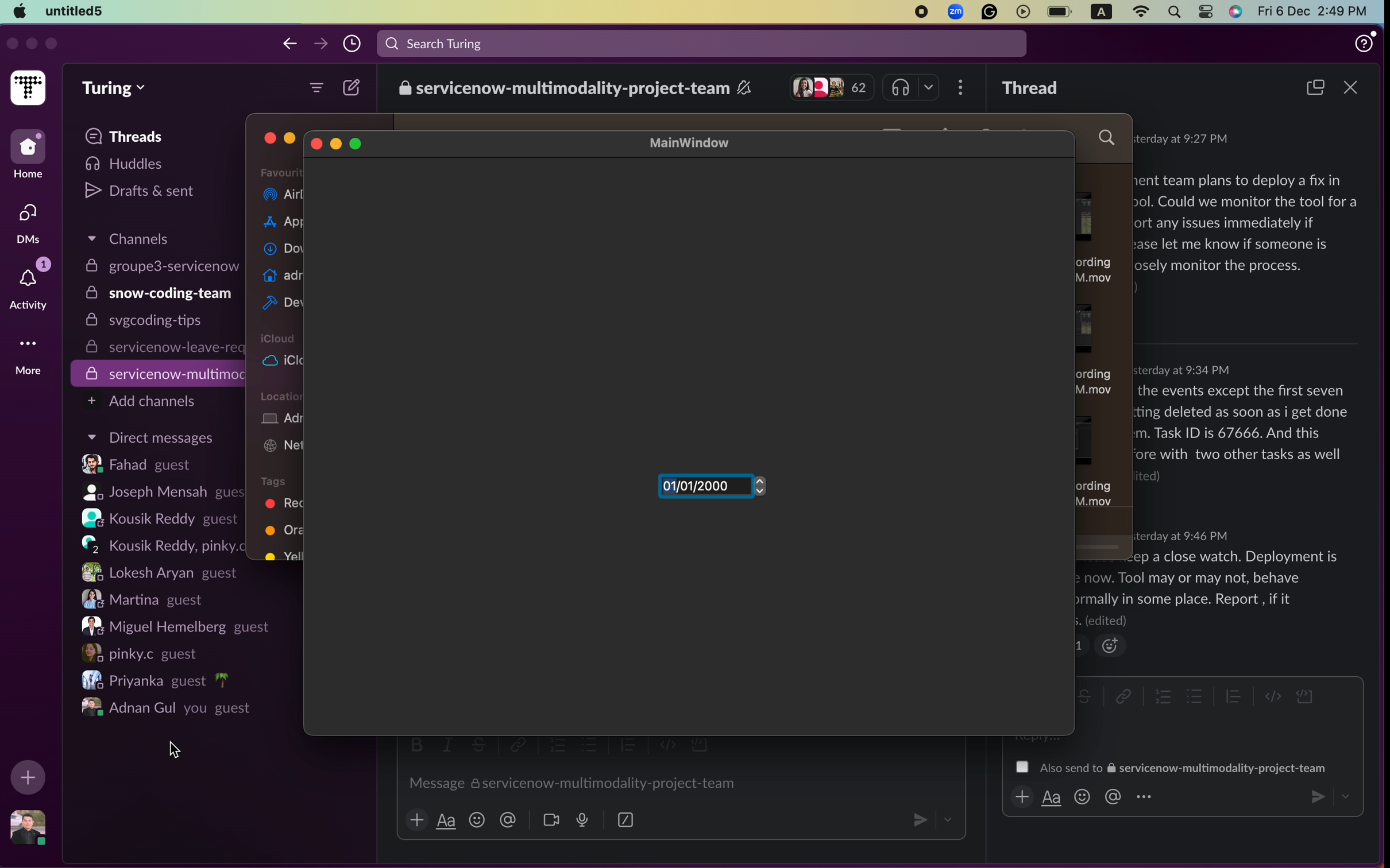 This screenshot has height=868, width=1390. Describe the element at coordinates (157, 571) in the screenshot. I see `Lokesh Aryan` at that location.